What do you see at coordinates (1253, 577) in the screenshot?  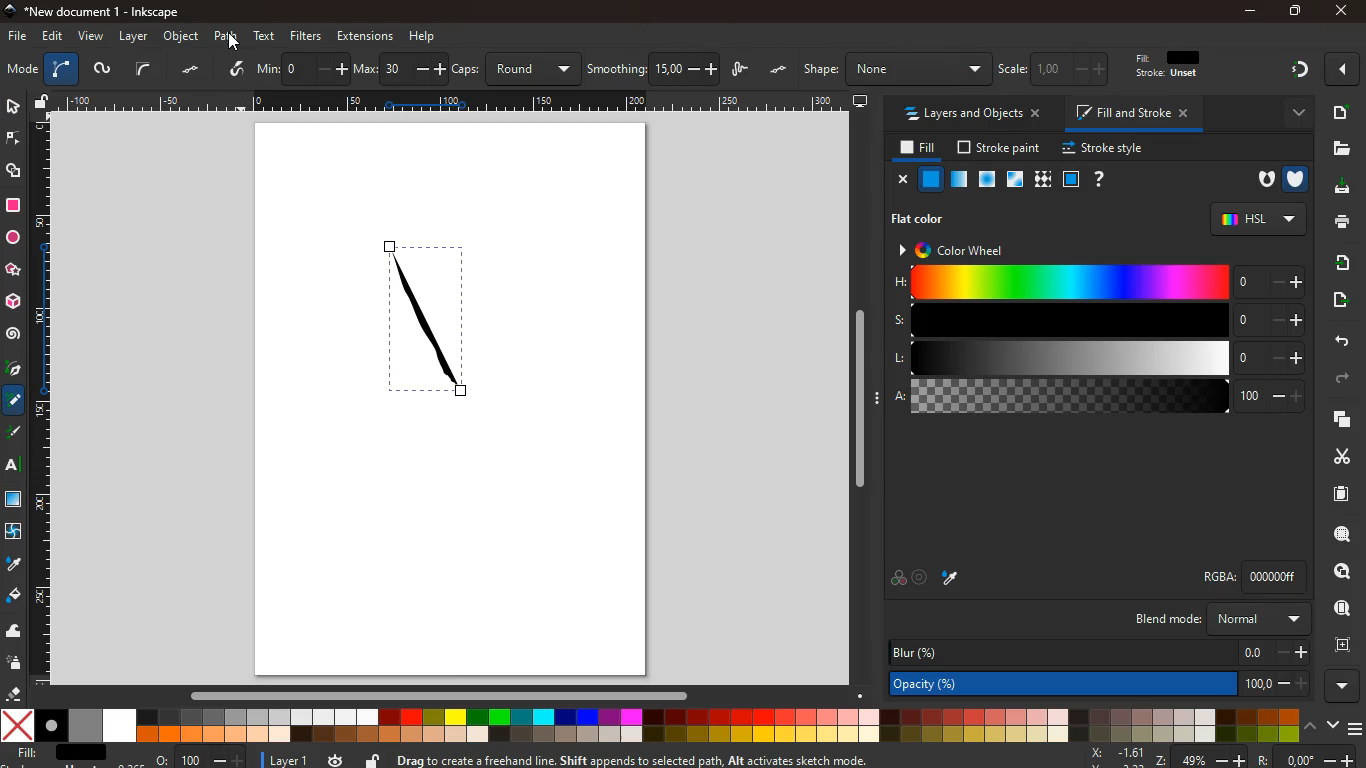 I see `rgba` at bounding box center [1253, 577].